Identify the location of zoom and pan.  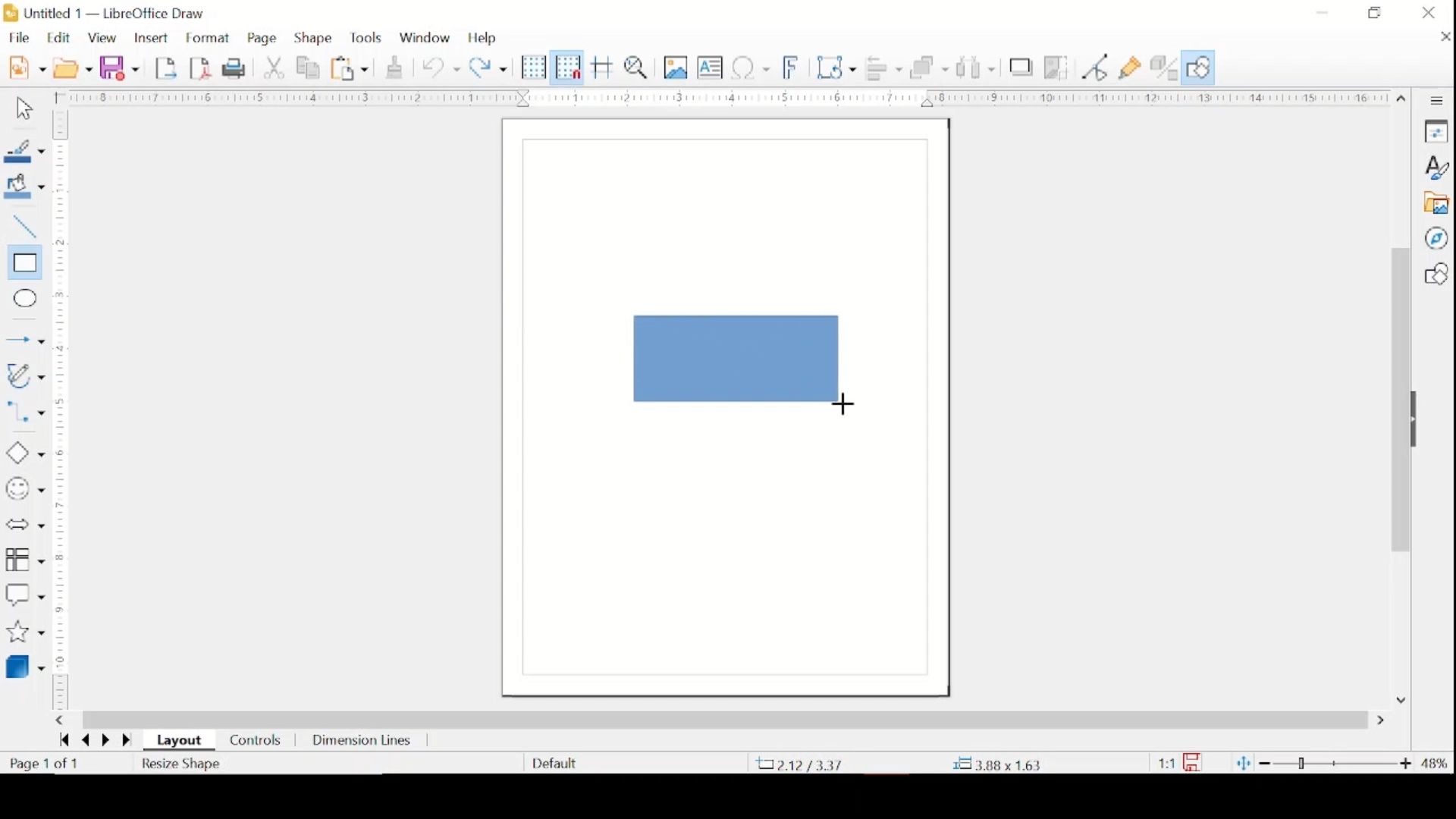
(639, 67).